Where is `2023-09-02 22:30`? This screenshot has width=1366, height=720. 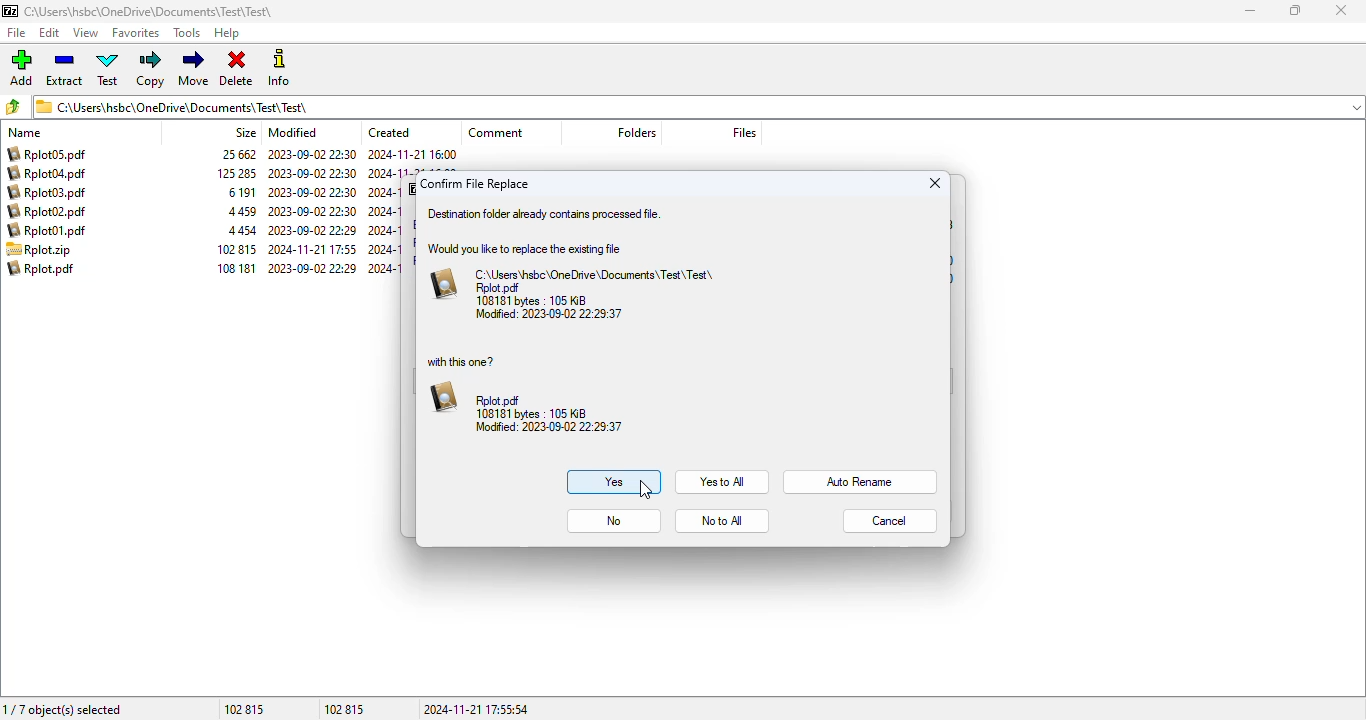 2023-09-02 22:30 is located at coordinates (312, 193).